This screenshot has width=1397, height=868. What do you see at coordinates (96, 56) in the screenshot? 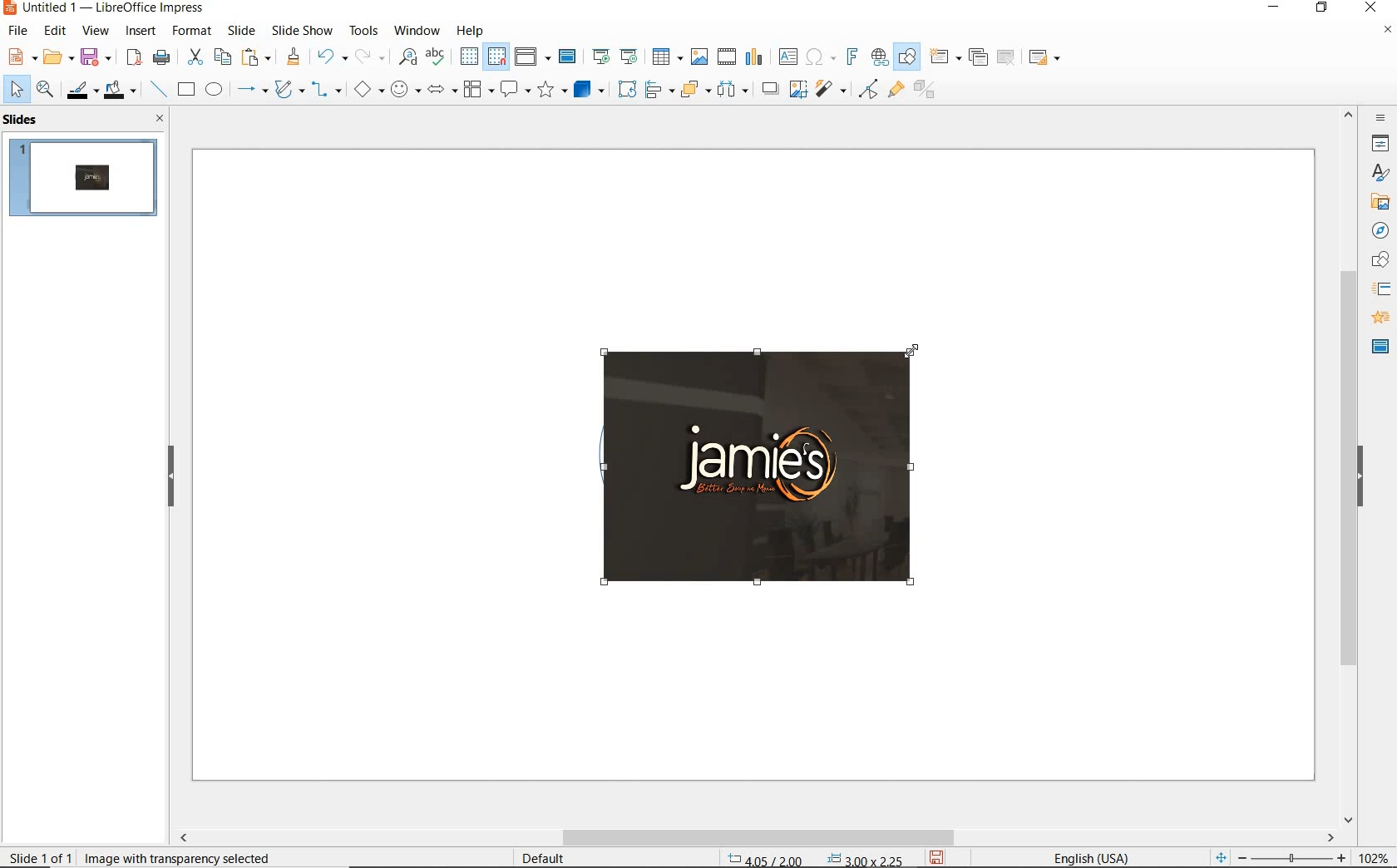
I see `save` at bounding box center [96, 56].